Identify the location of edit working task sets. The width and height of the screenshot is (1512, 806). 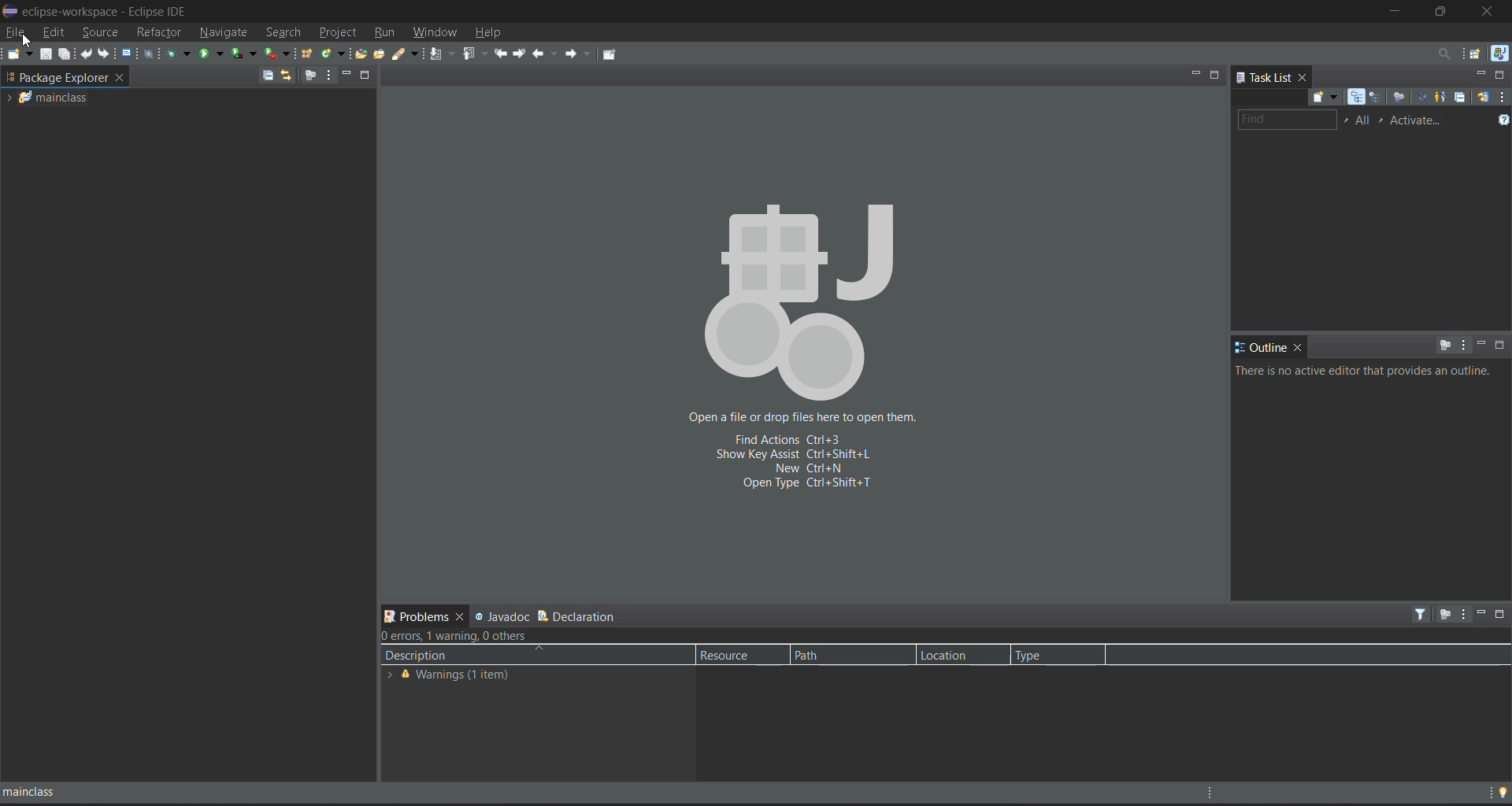
(1365, 121).